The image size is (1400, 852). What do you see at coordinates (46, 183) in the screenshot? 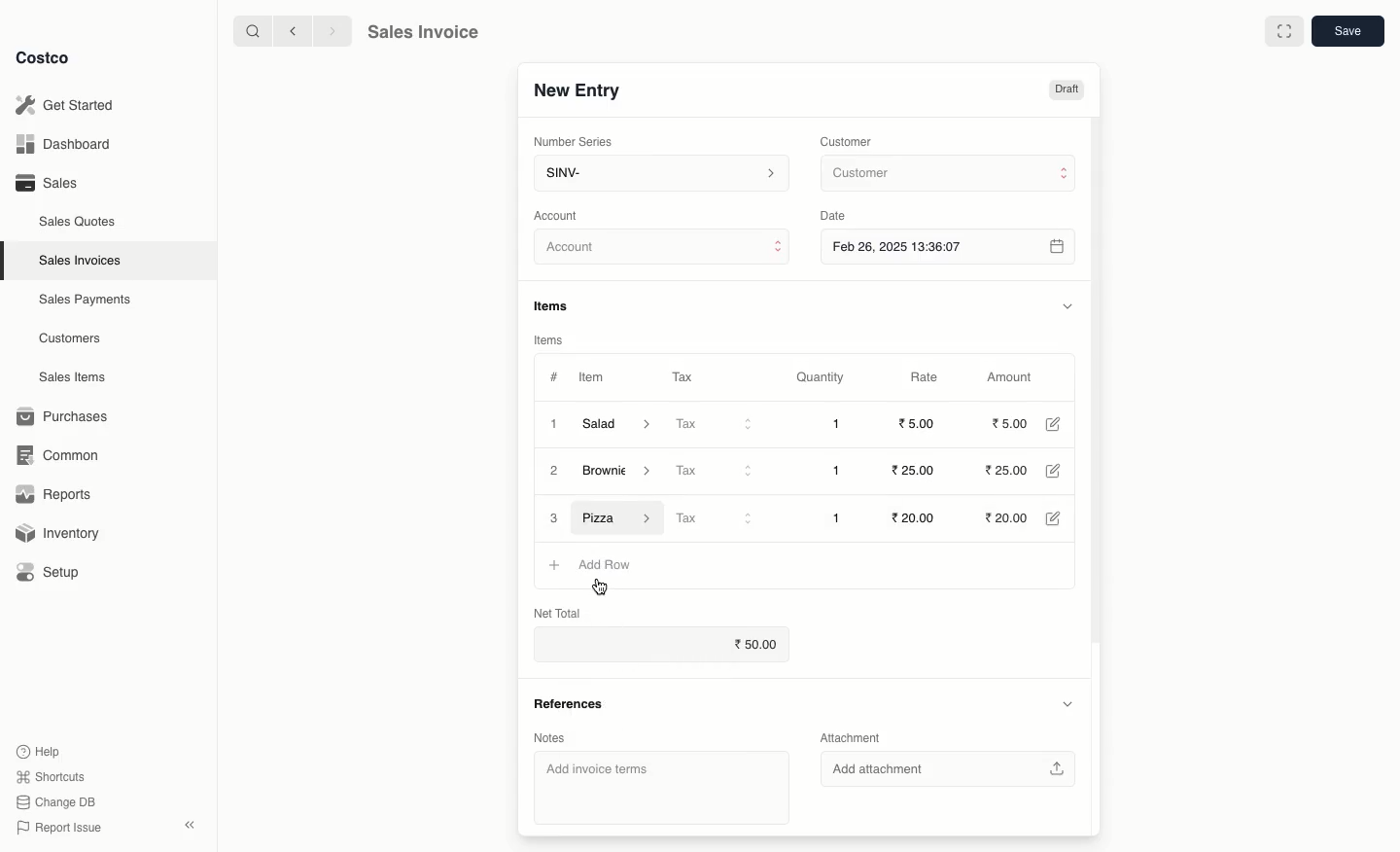
I see `Sales` at bounding box center [46, 183].